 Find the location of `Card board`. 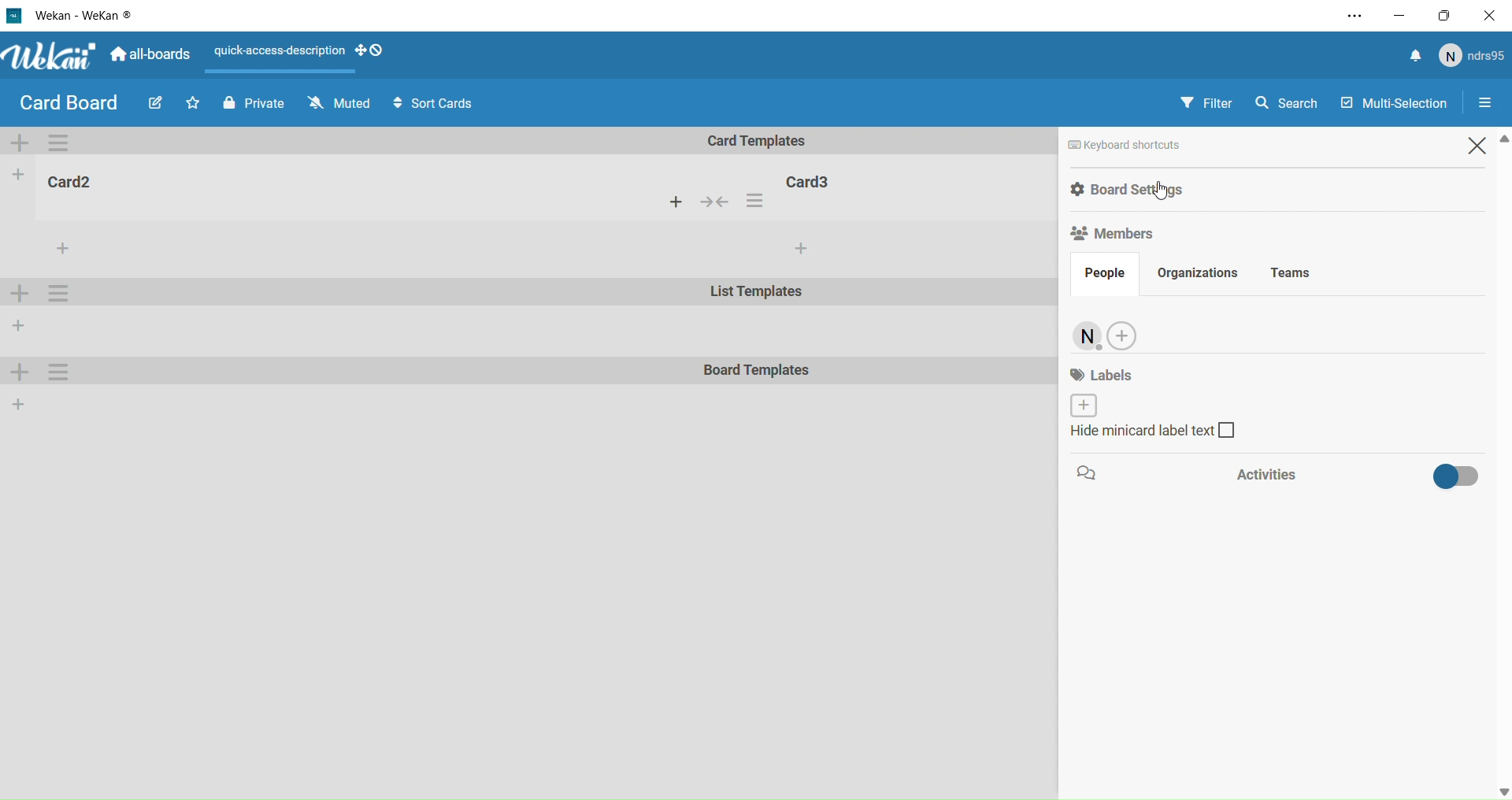

Card board is located at coordinates (68, 103).